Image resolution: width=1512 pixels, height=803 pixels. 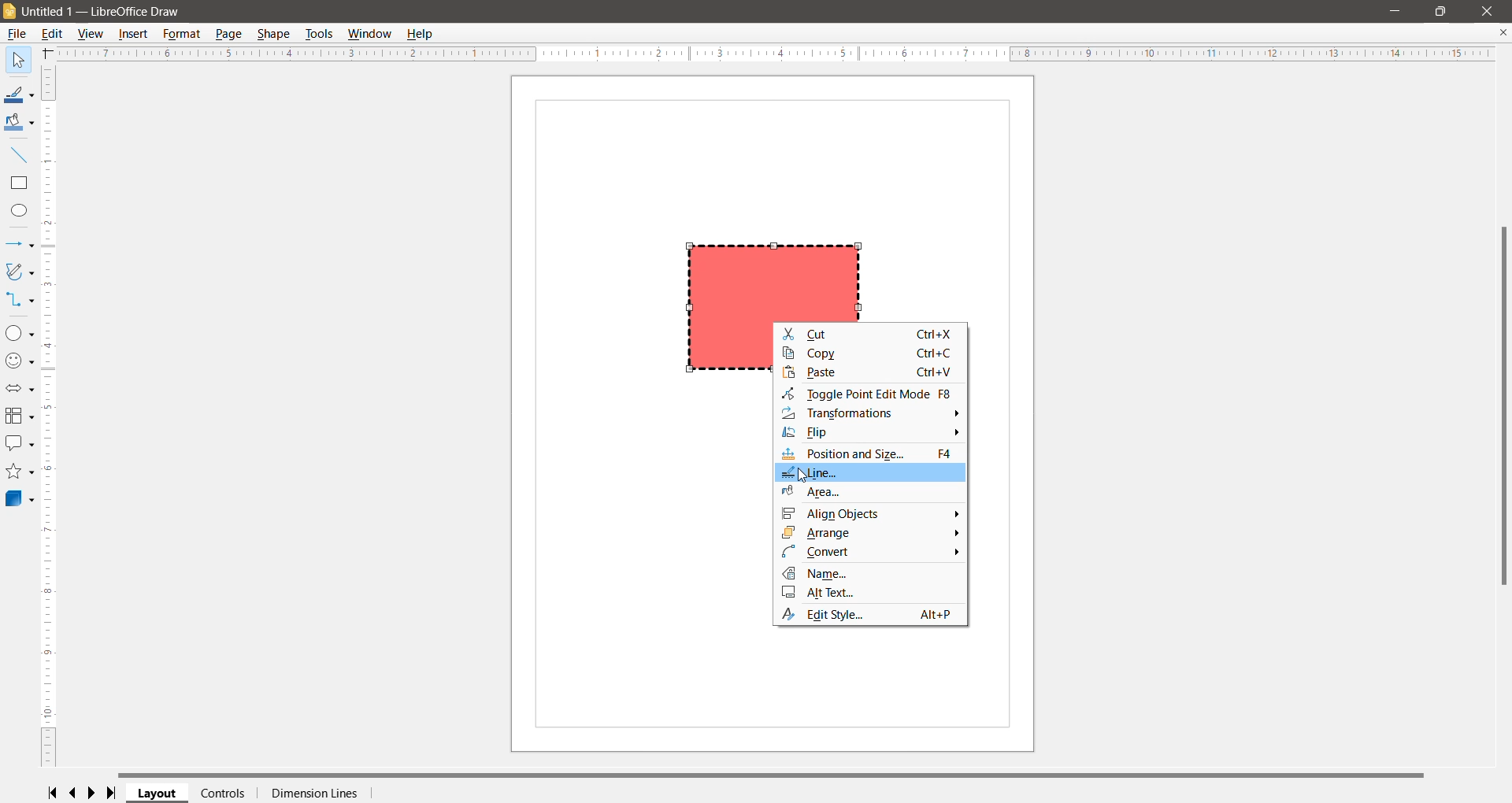 What do you see at coordinates (93, 794) in the screenshot?
I see `Scroll to next page` at bounding box center [93, 794].